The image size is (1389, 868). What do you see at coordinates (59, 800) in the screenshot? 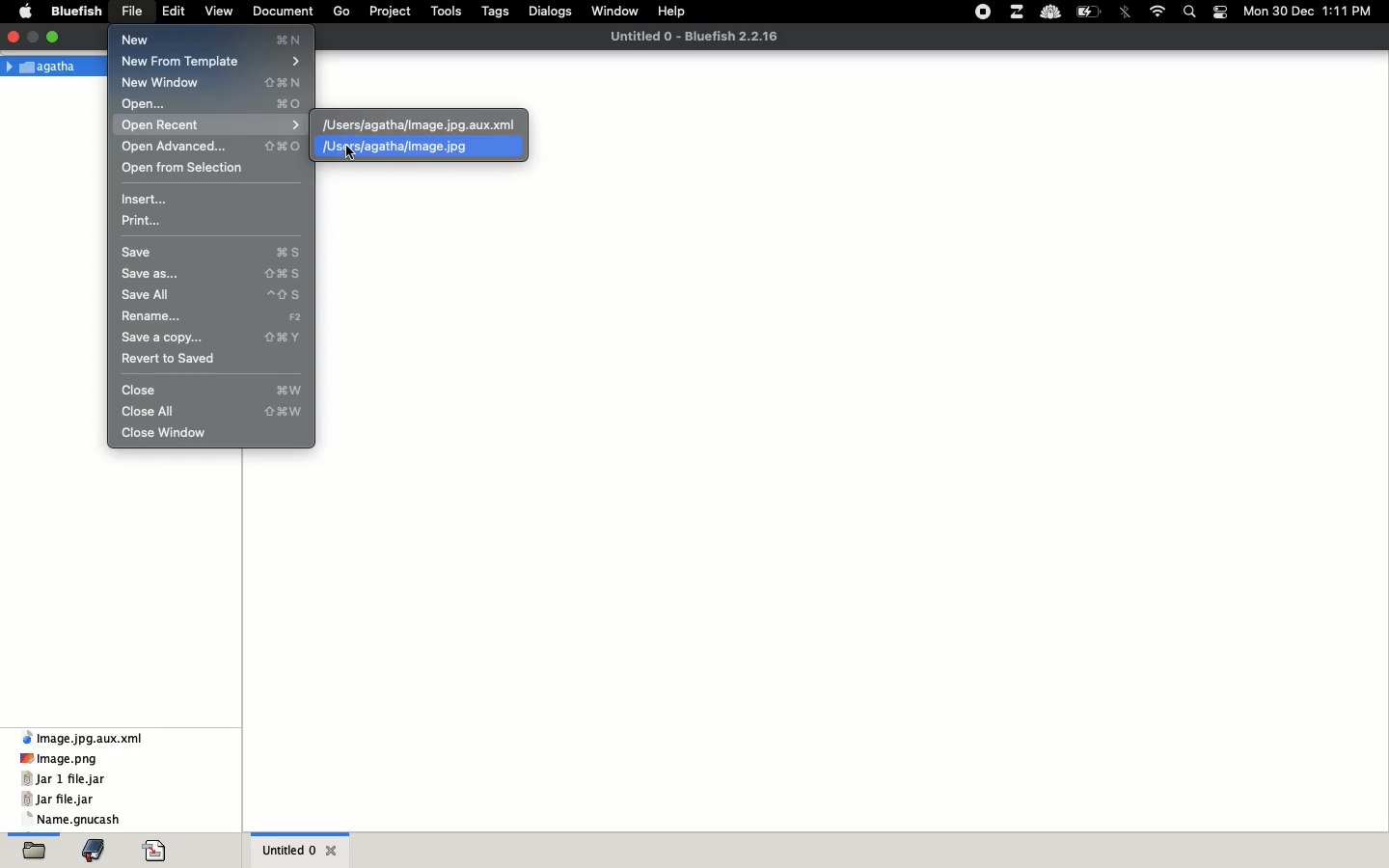
I see `jar file.jar` at bounding box center [59, 800].